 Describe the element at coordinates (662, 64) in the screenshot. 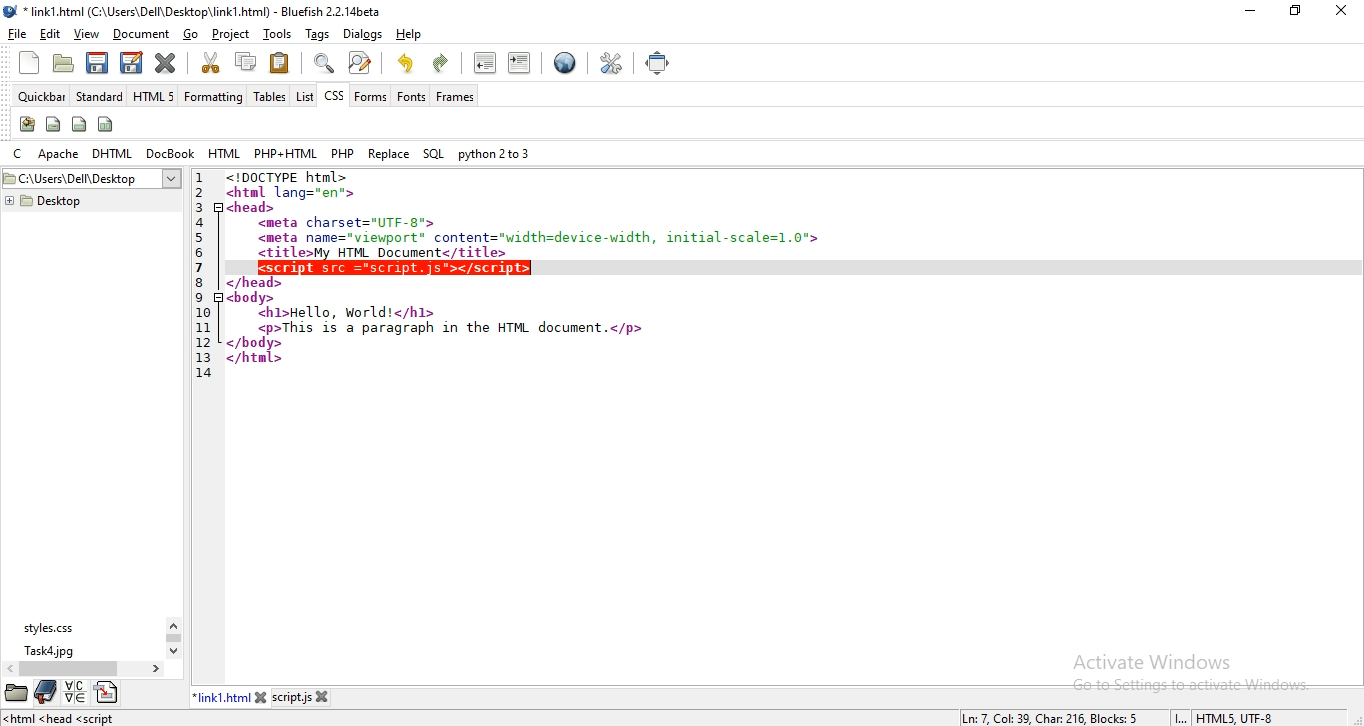

I see `full screen` at that location.